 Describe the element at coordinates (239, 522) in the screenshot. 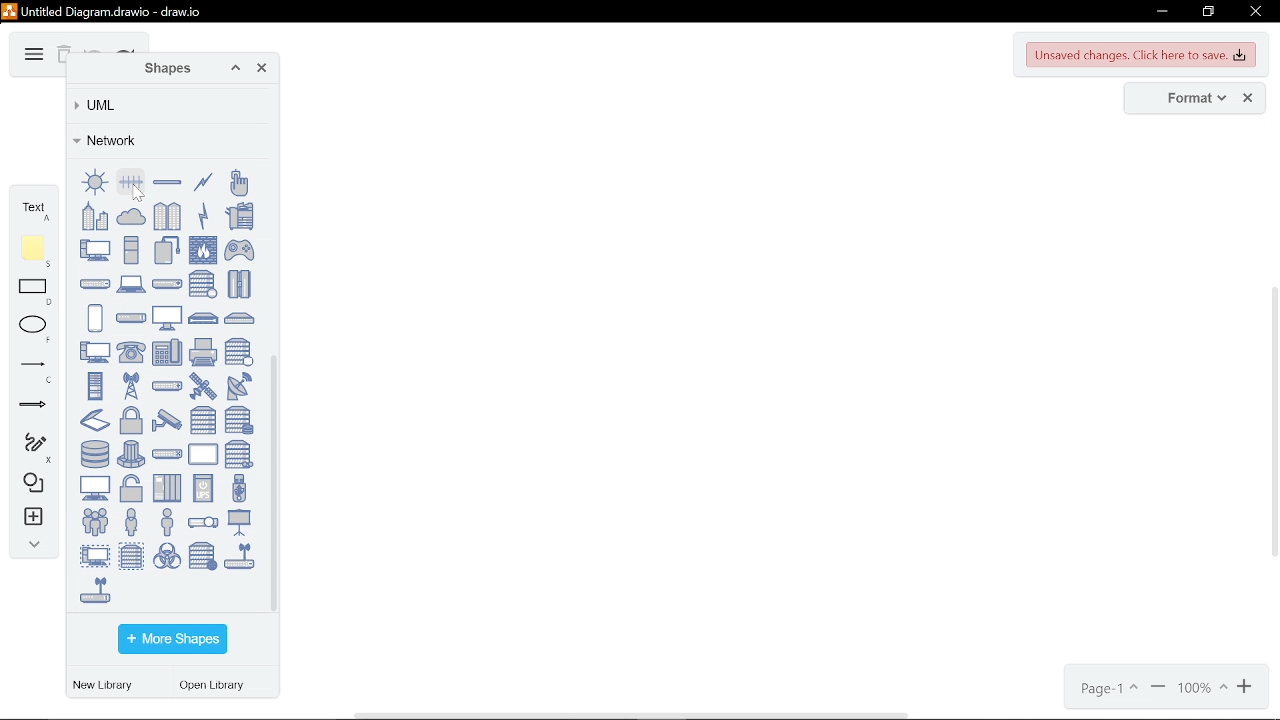

I see `video projector screen` at that location.